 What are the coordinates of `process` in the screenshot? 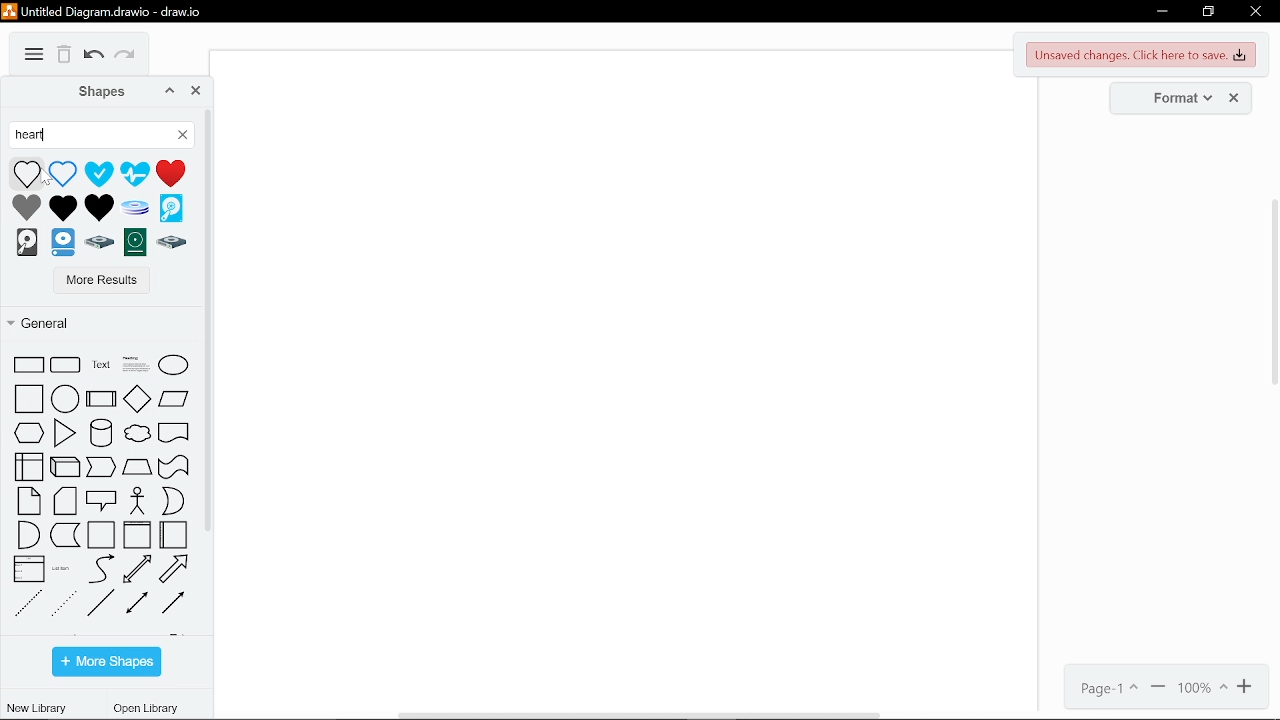 It's located at (137, 469).